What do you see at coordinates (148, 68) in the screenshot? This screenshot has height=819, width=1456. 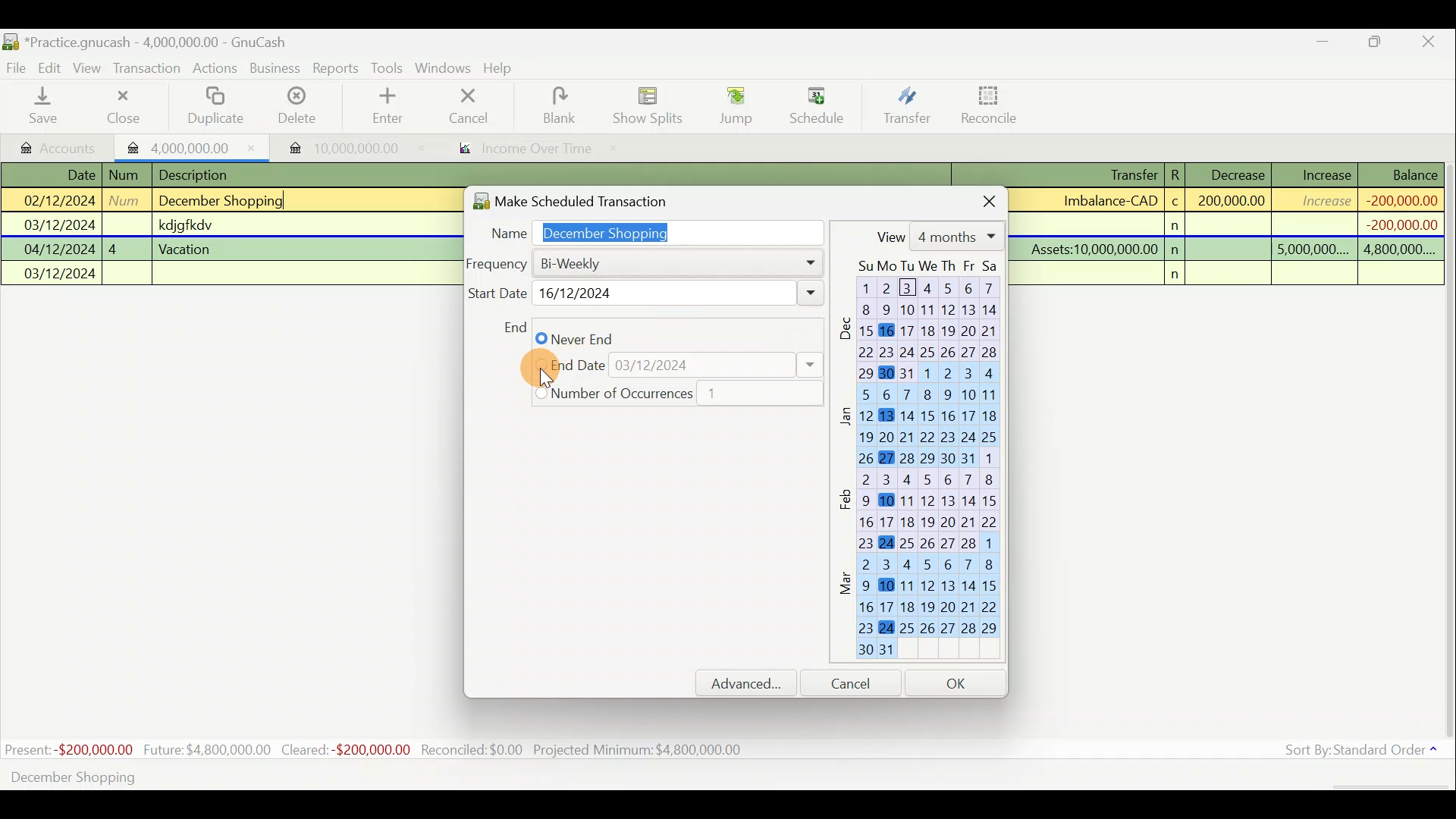 I see `Transaction` at bounding box center [148, 68].